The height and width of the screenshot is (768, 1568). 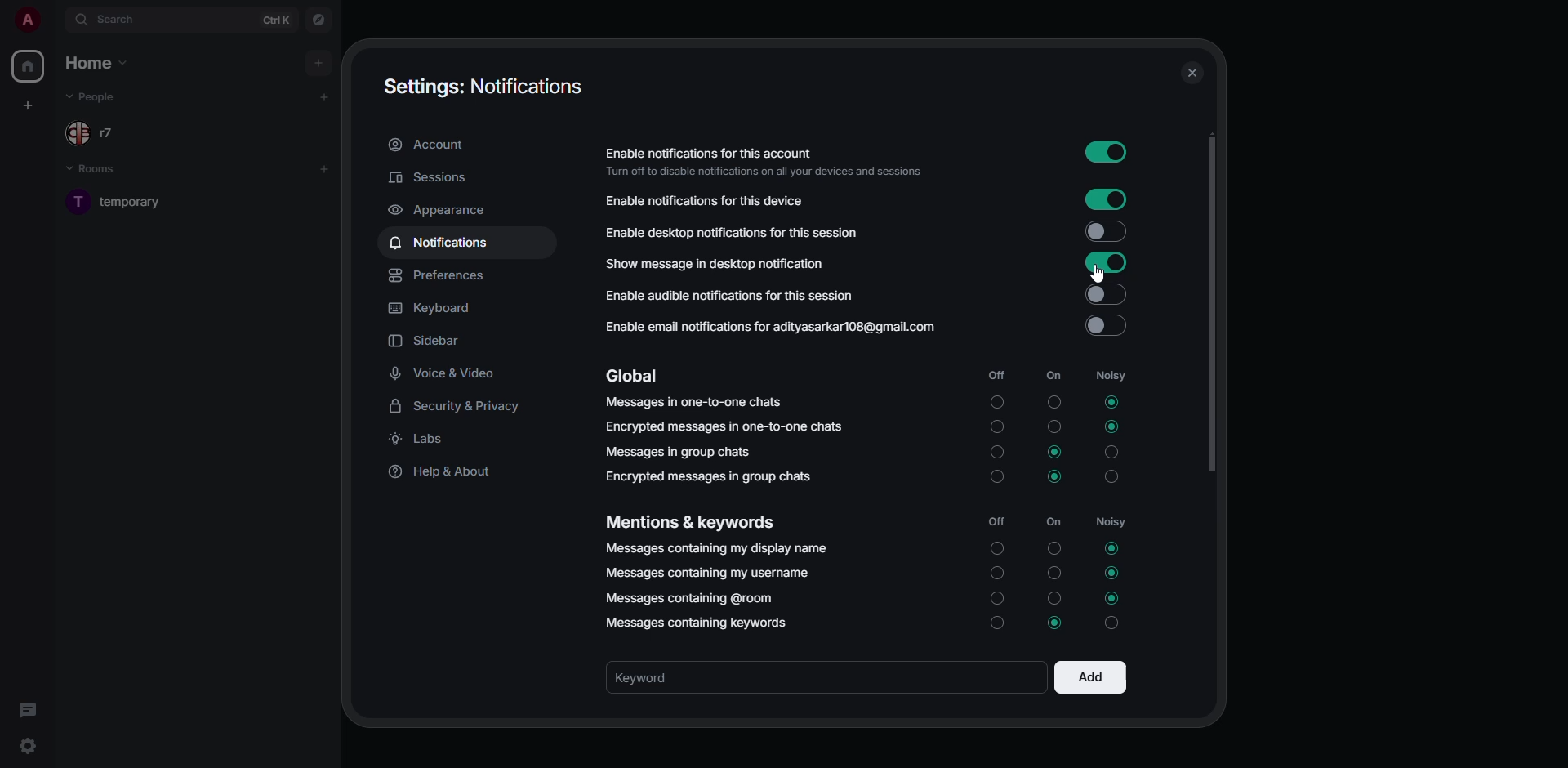 What do you see at coordinates (693, 401) in the screenshot?
I see `messages in one to one chats` at bounding box center [693, 401].